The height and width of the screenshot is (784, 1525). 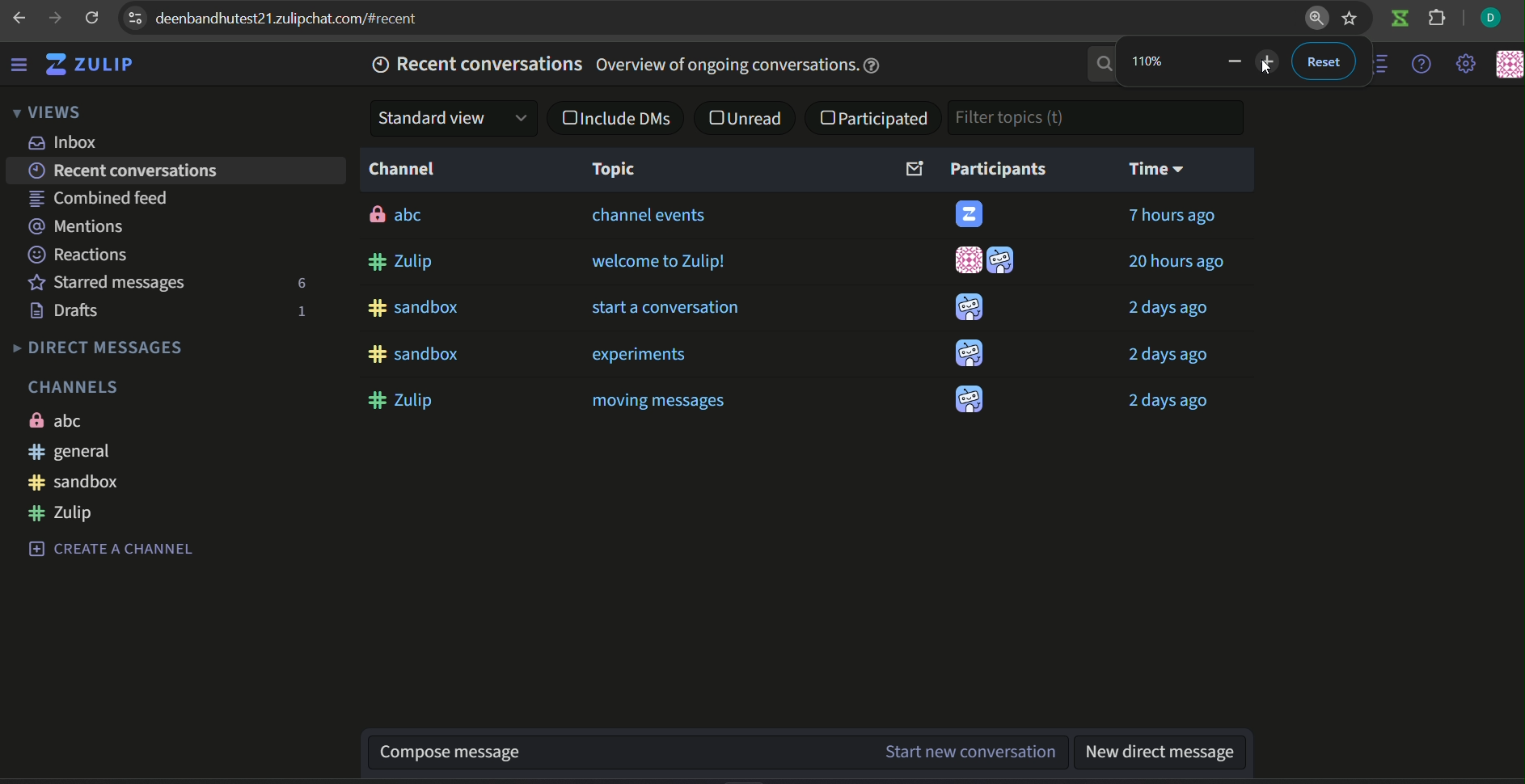 I want to click on 20 hours ago, so click(x=1177, y=261).